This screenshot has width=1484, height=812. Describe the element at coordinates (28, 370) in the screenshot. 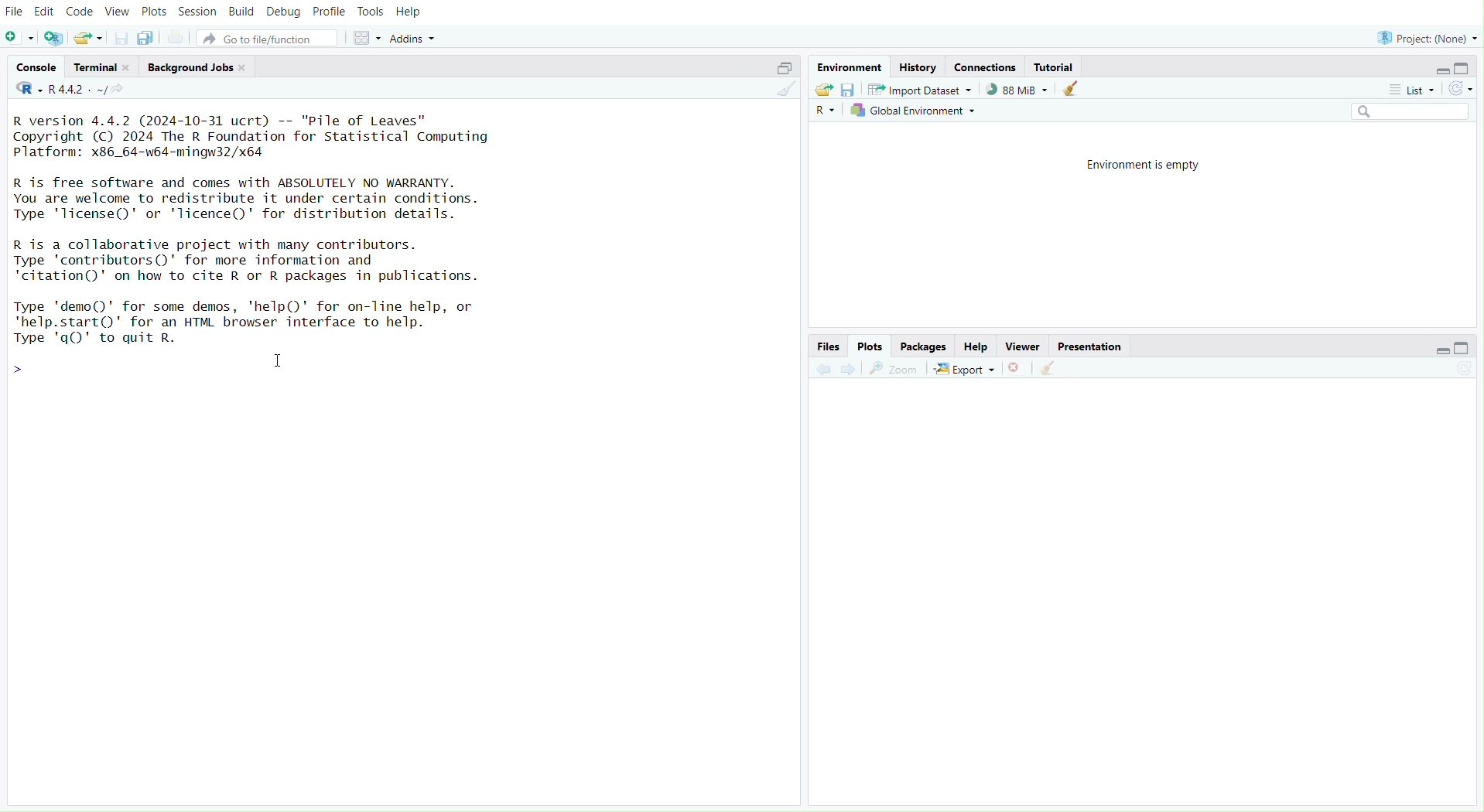

I see `Prompt cursor` at that location.